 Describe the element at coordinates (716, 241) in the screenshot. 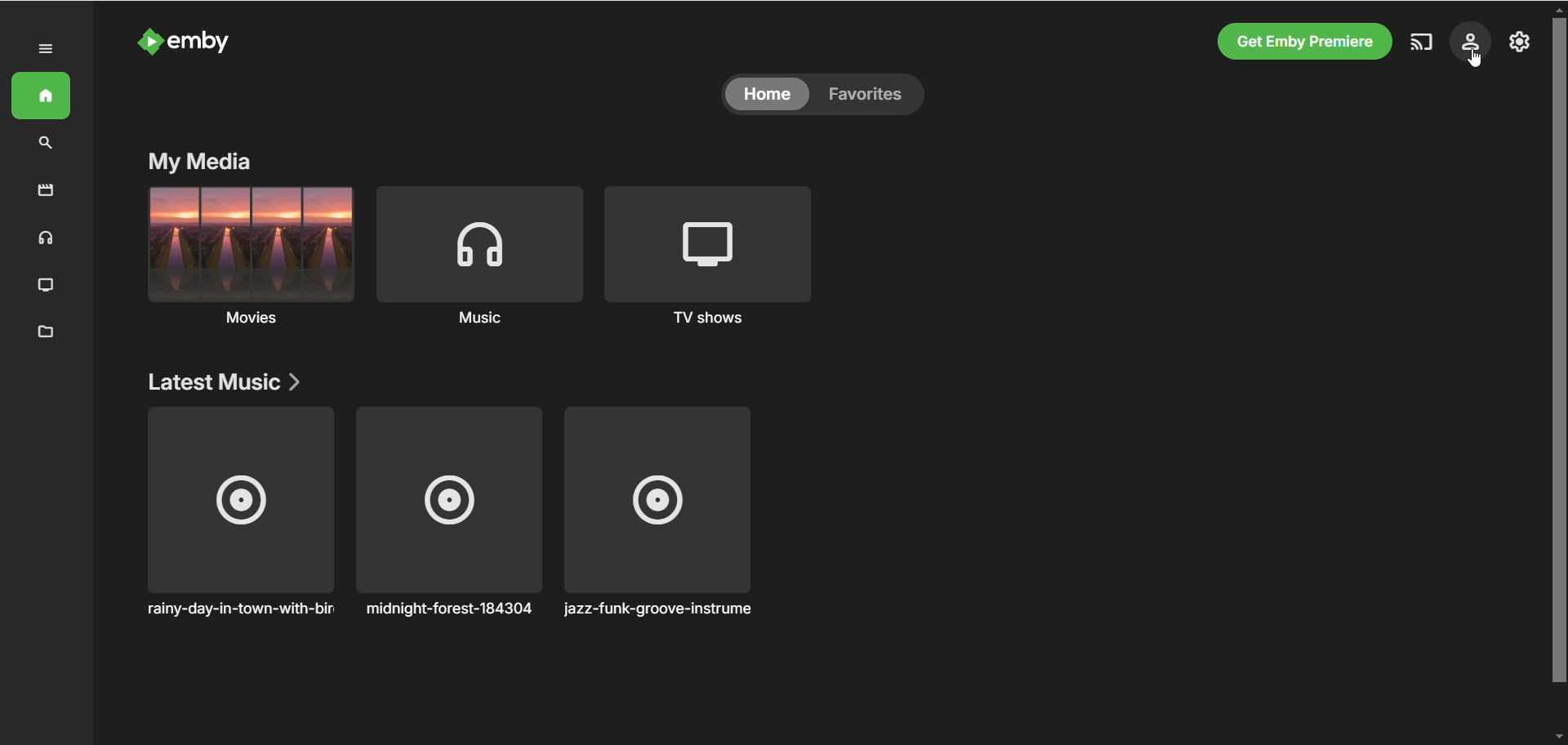

I see `TV shows` at that location.